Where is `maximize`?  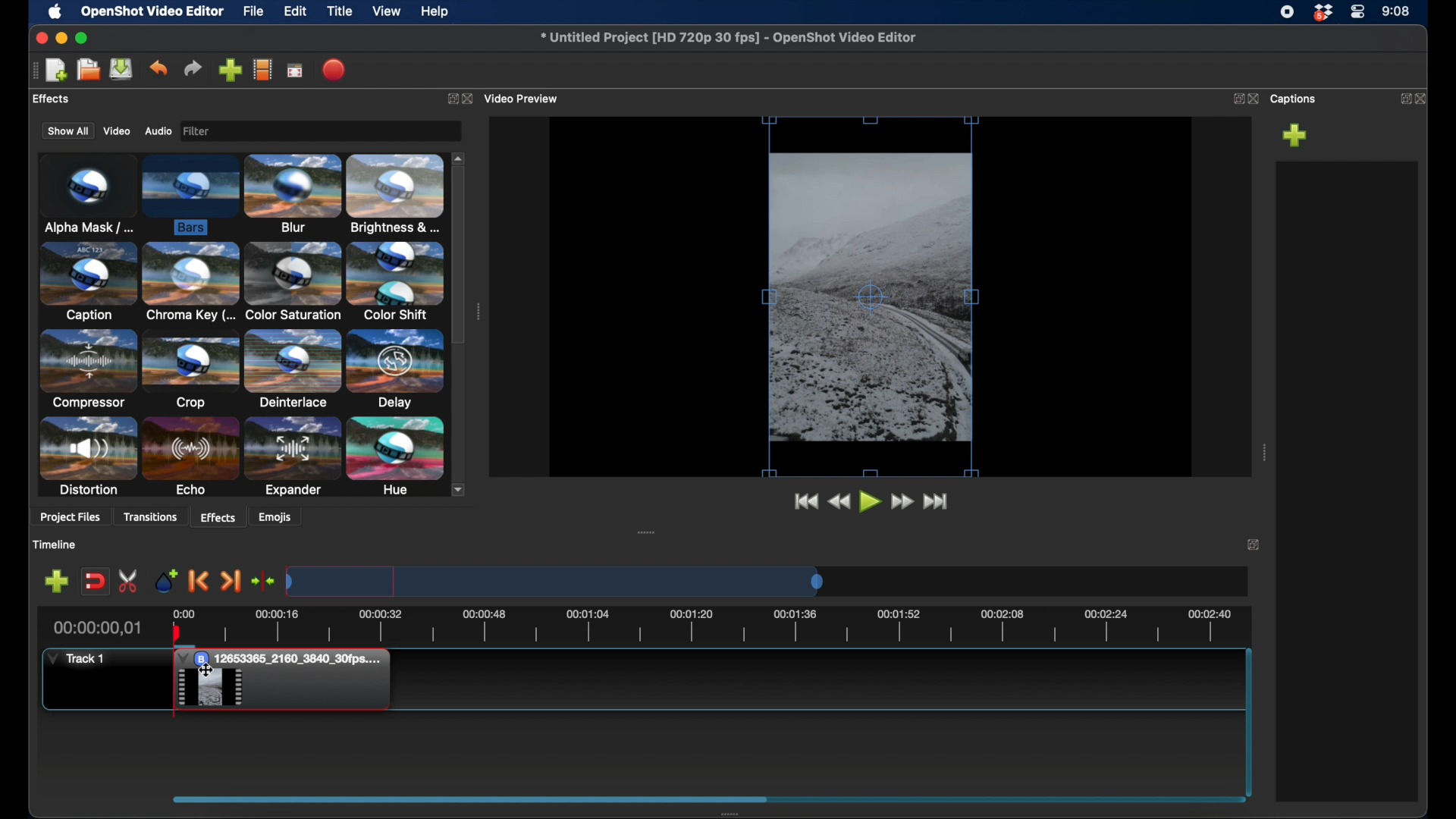
maximize is located at coordinates (83, 38).